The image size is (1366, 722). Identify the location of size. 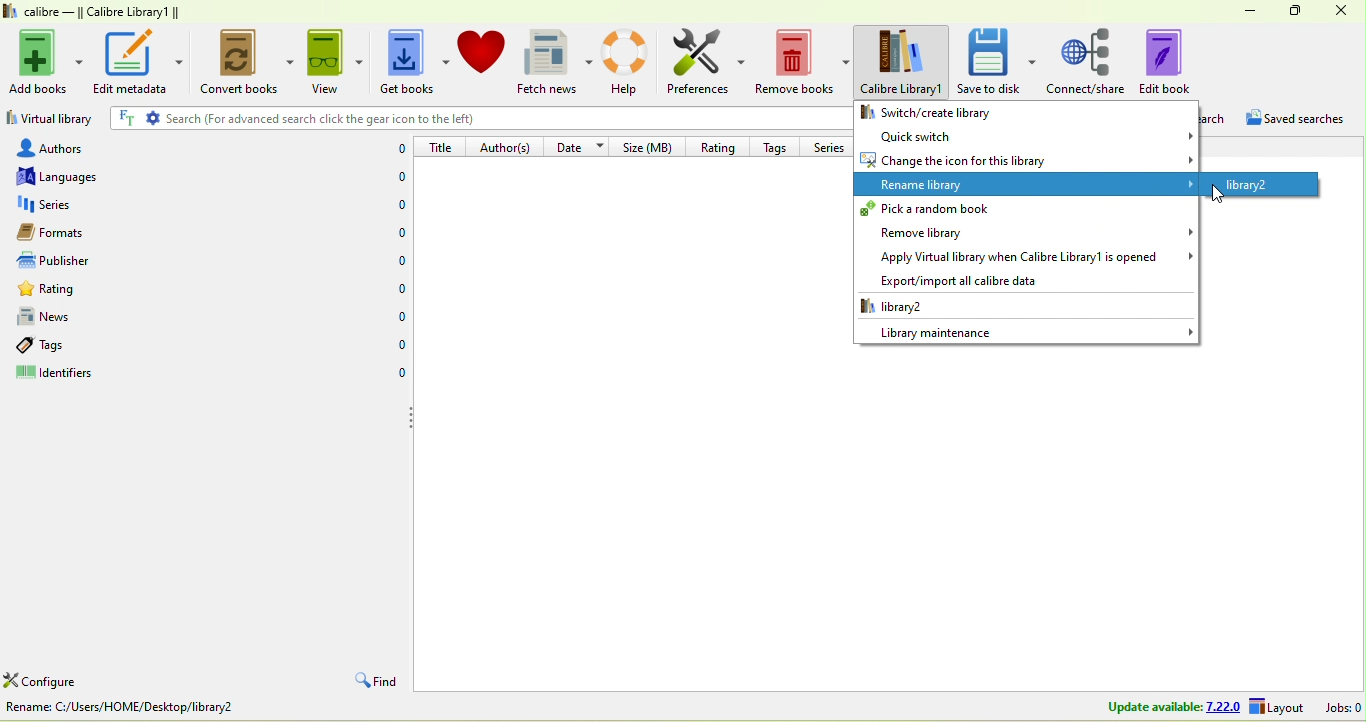
(651, 146).